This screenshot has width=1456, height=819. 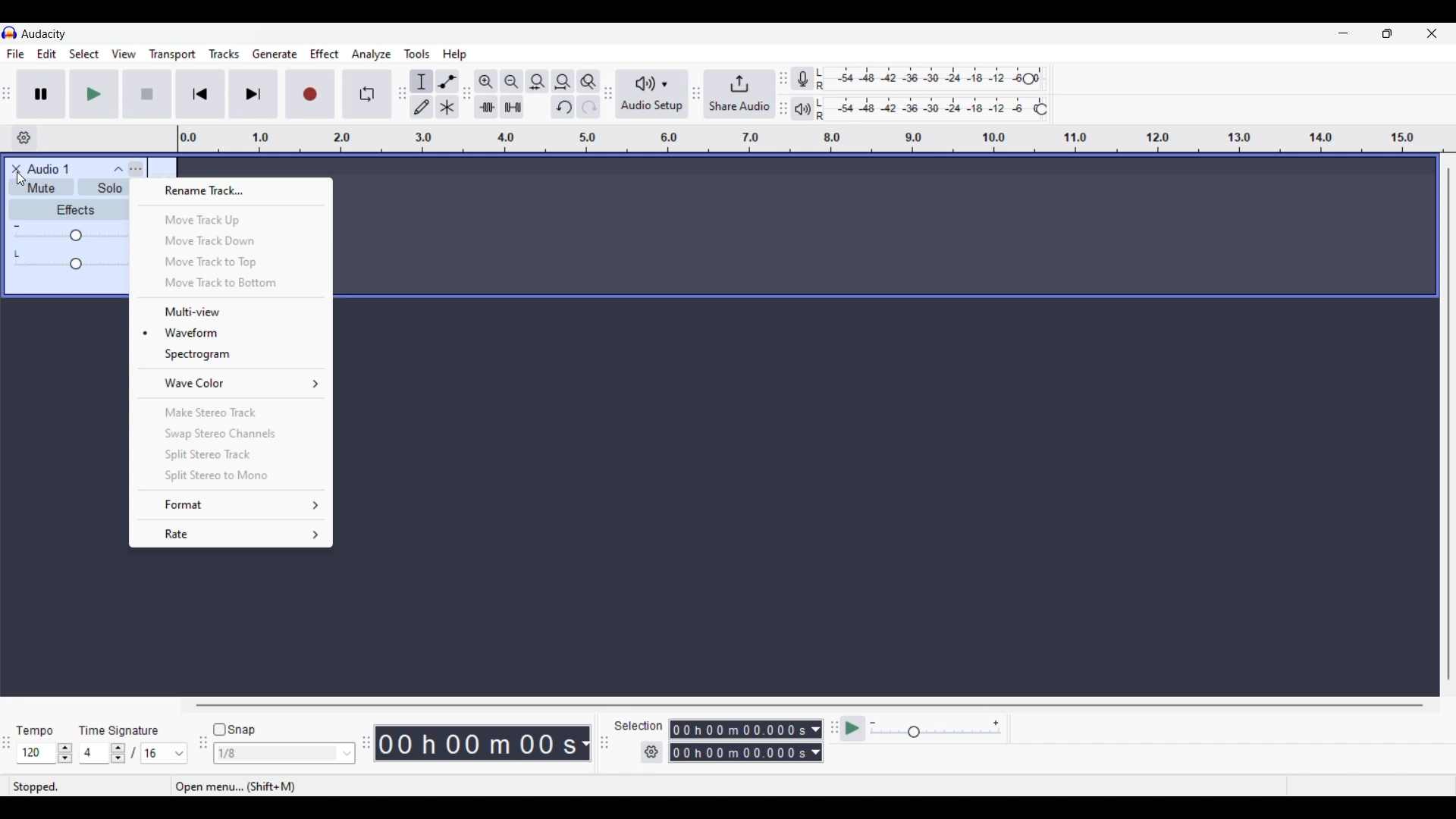 What do you see at coordinates (200, 93) in the screenshot?
I see `Skip to start/Select to start` at bounding box center [200, 93].